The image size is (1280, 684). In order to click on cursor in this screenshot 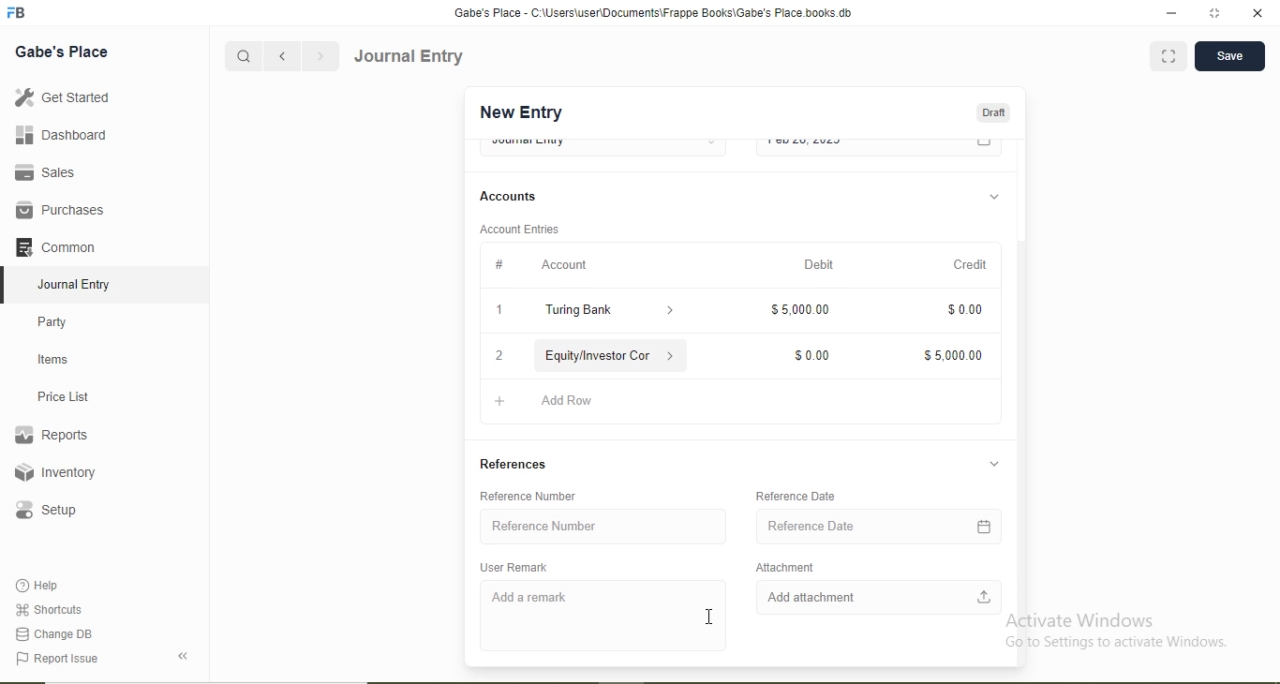, I will do `click(708, 617)`.